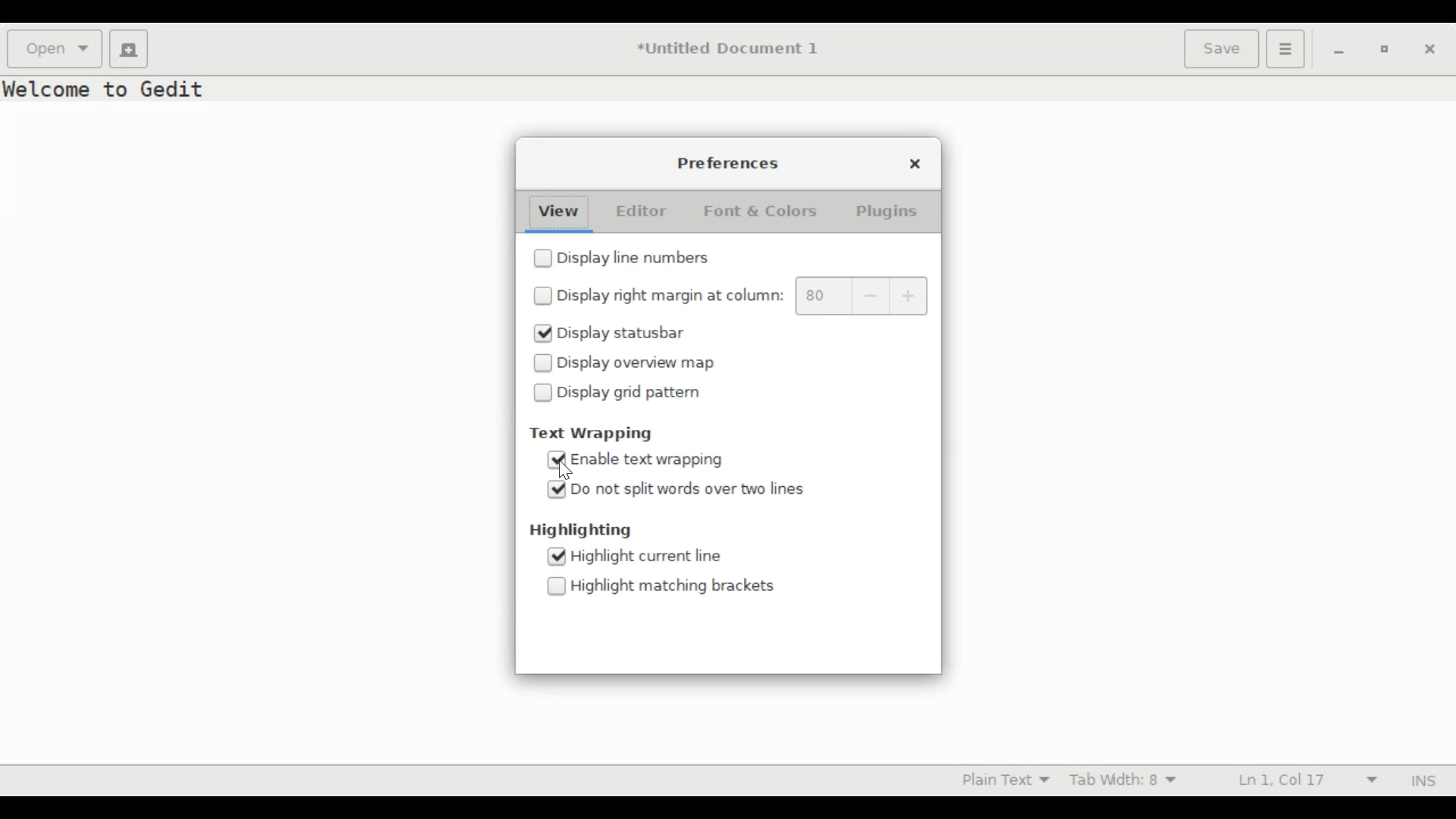 The image size is (1456, 819). What do you see at coordinates (642, 212) in the screenshot?
I see `Editor` at bounding box center [642, 212].